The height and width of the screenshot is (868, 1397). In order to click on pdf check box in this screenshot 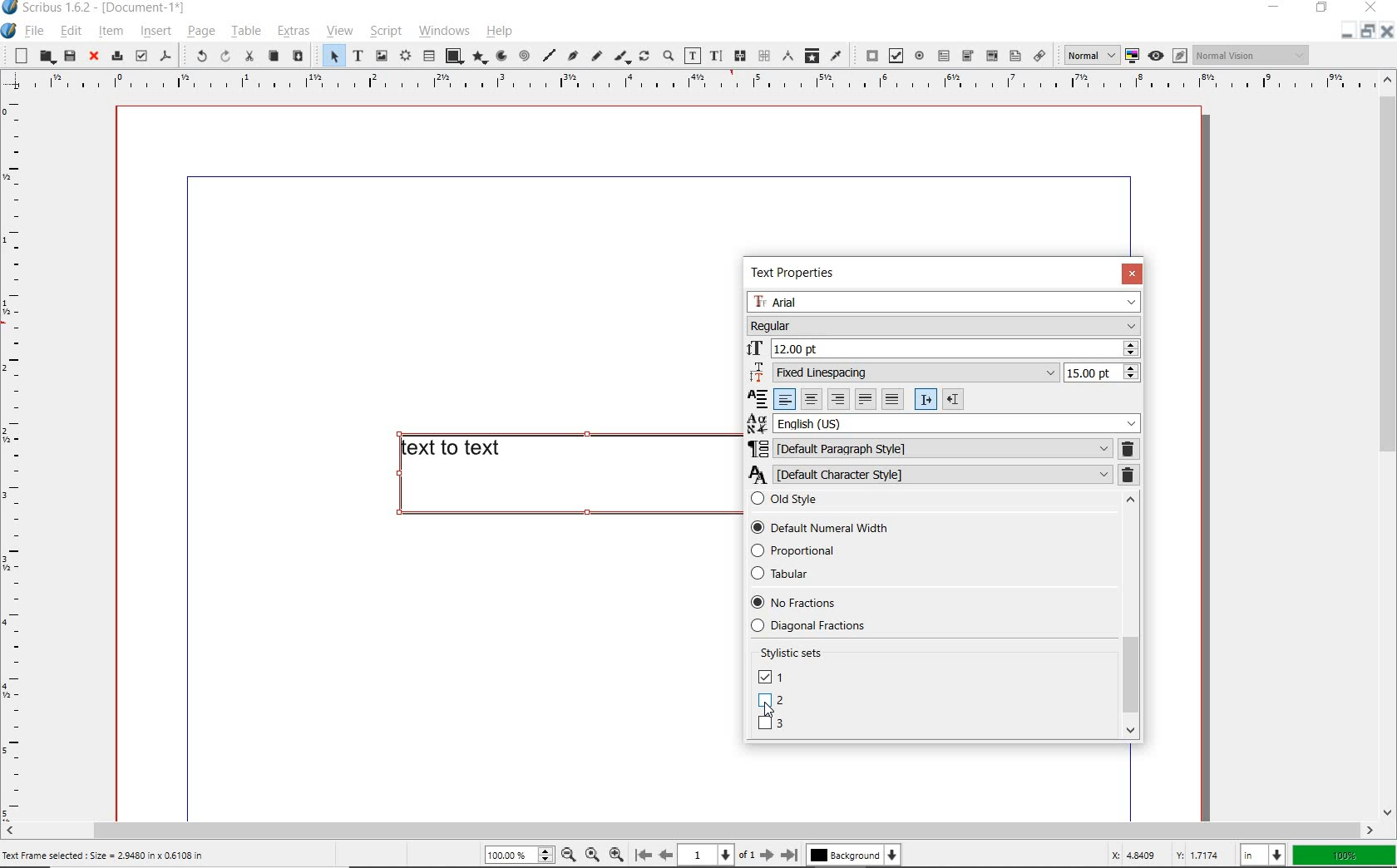, I will do `click(895, 56)`.